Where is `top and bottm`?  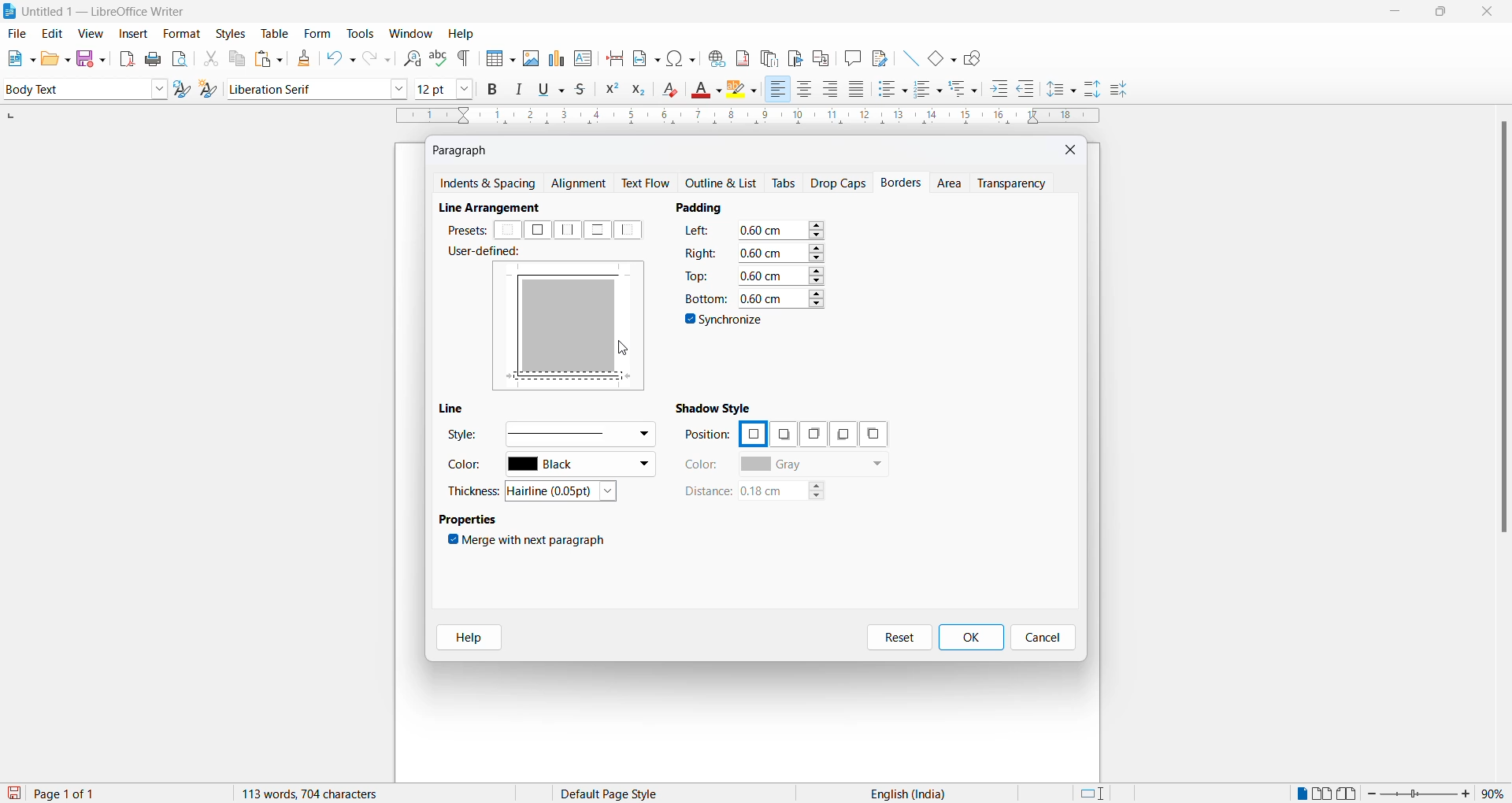
top and bottm is located at coordinates (597, 230).